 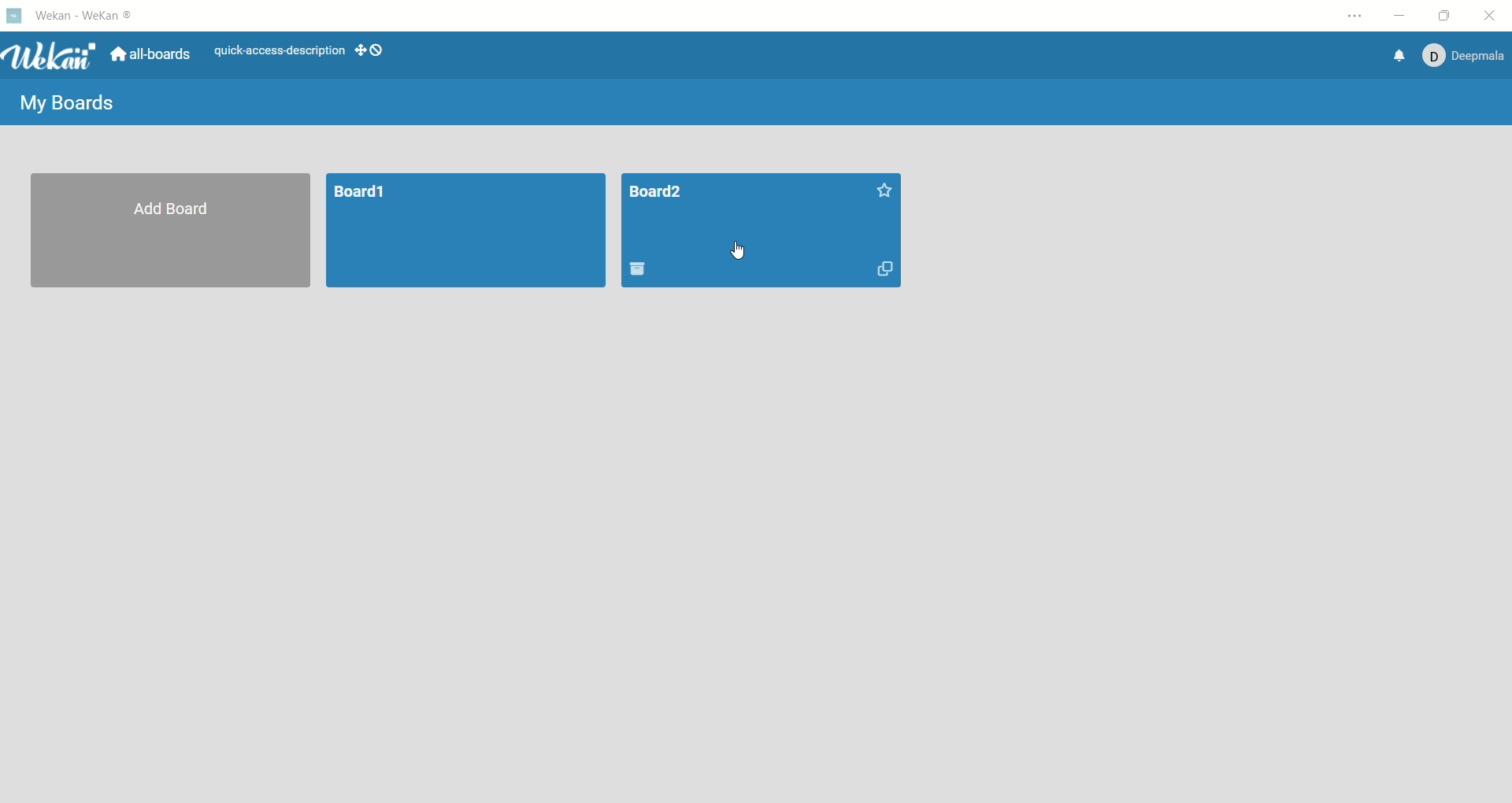 What do you see at coordinates (13, 15) in the screenshot?
I see `logo` at bounding box center [13, 15].